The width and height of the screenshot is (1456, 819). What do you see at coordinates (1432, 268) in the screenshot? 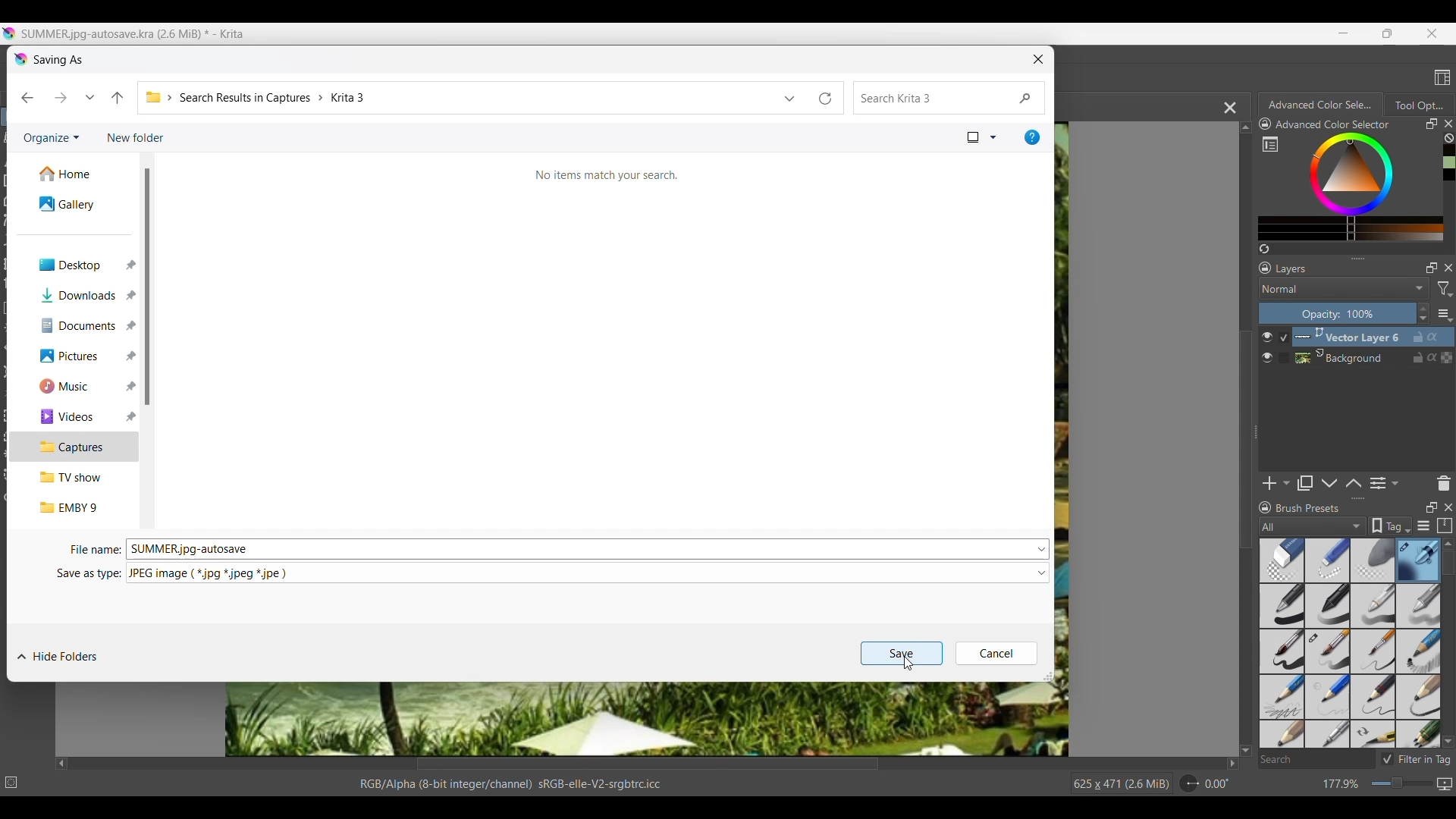
I see `Float Layers panel` at bounding box center [1432, 268].